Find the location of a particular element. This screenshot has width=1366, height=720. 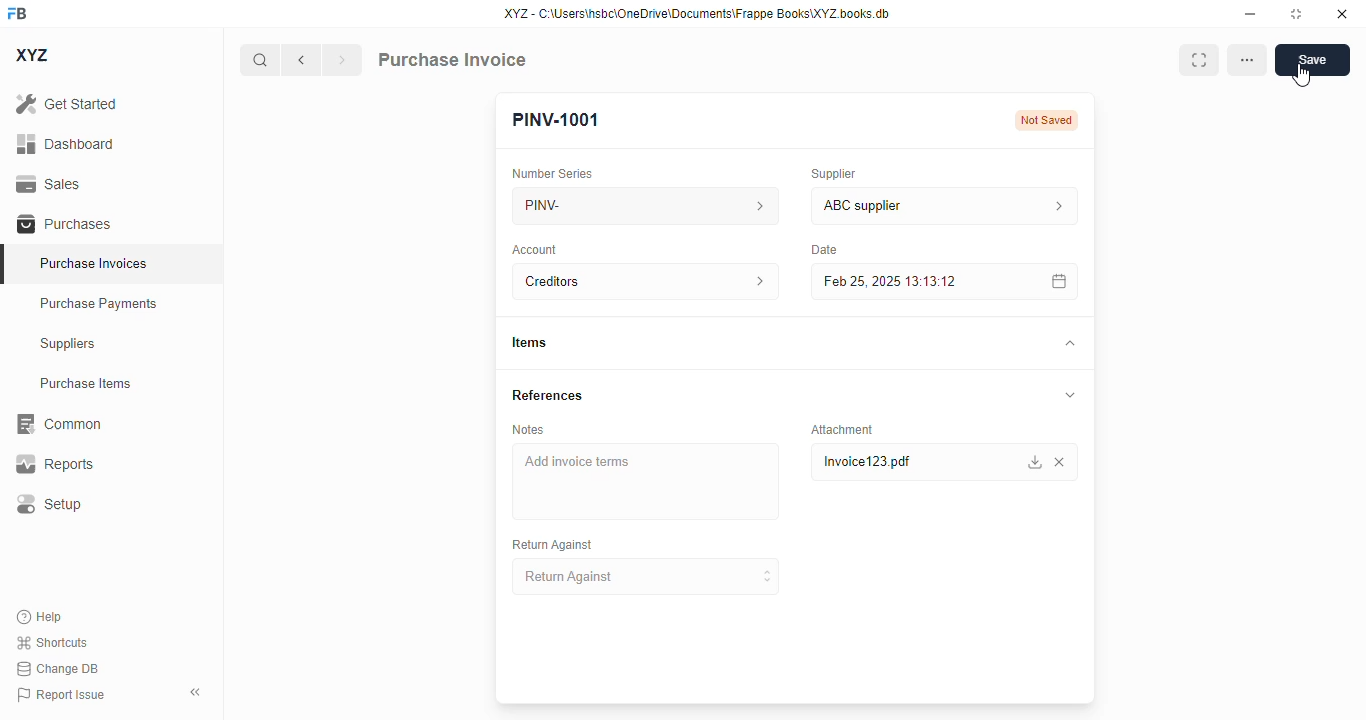

PINV- is located at coordinates (617, 205).